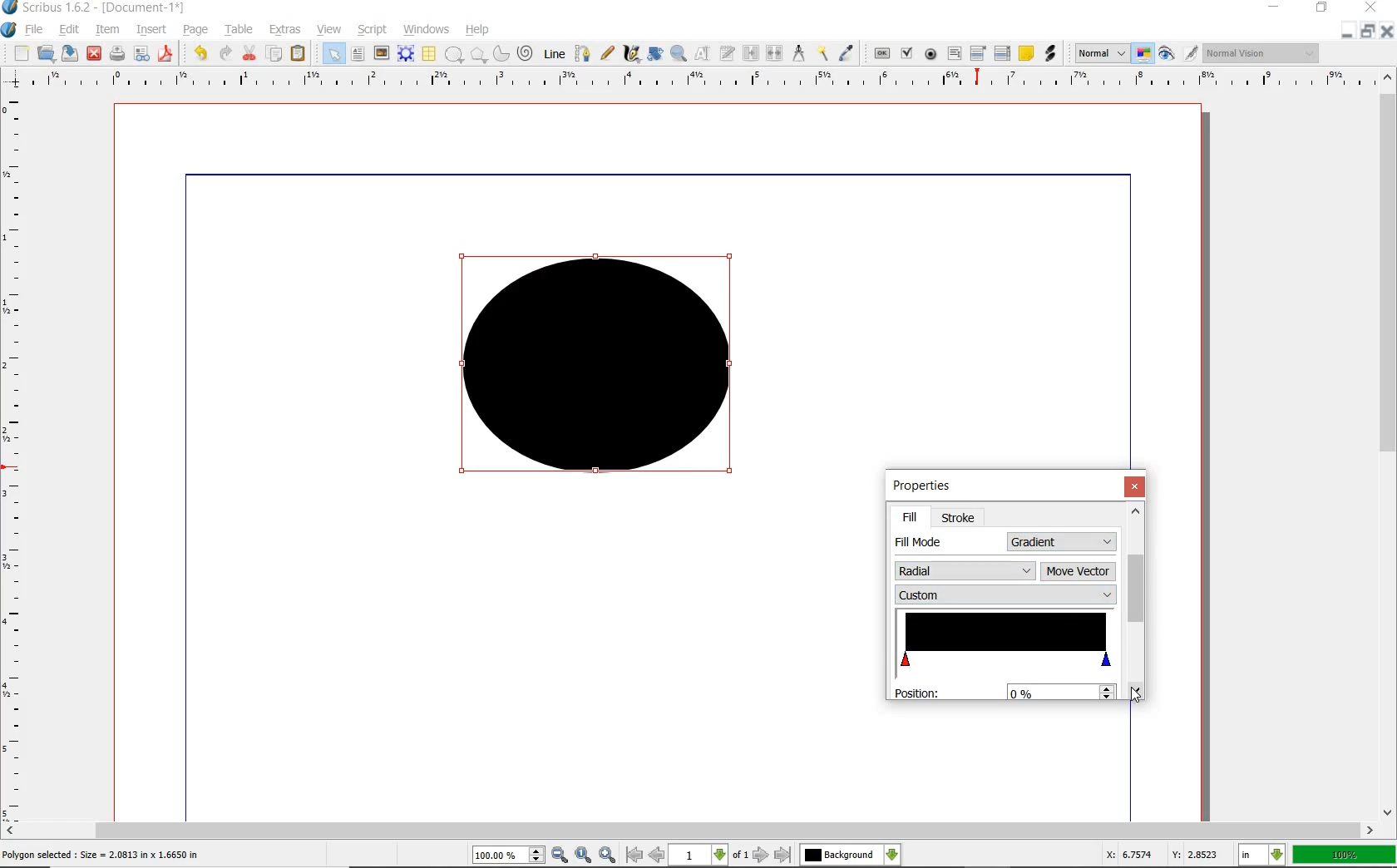 This screenshot has width=1397, height=868. Describe the element at coordinates (1005, 640) in the screenshot. I see `color stop` at that location.